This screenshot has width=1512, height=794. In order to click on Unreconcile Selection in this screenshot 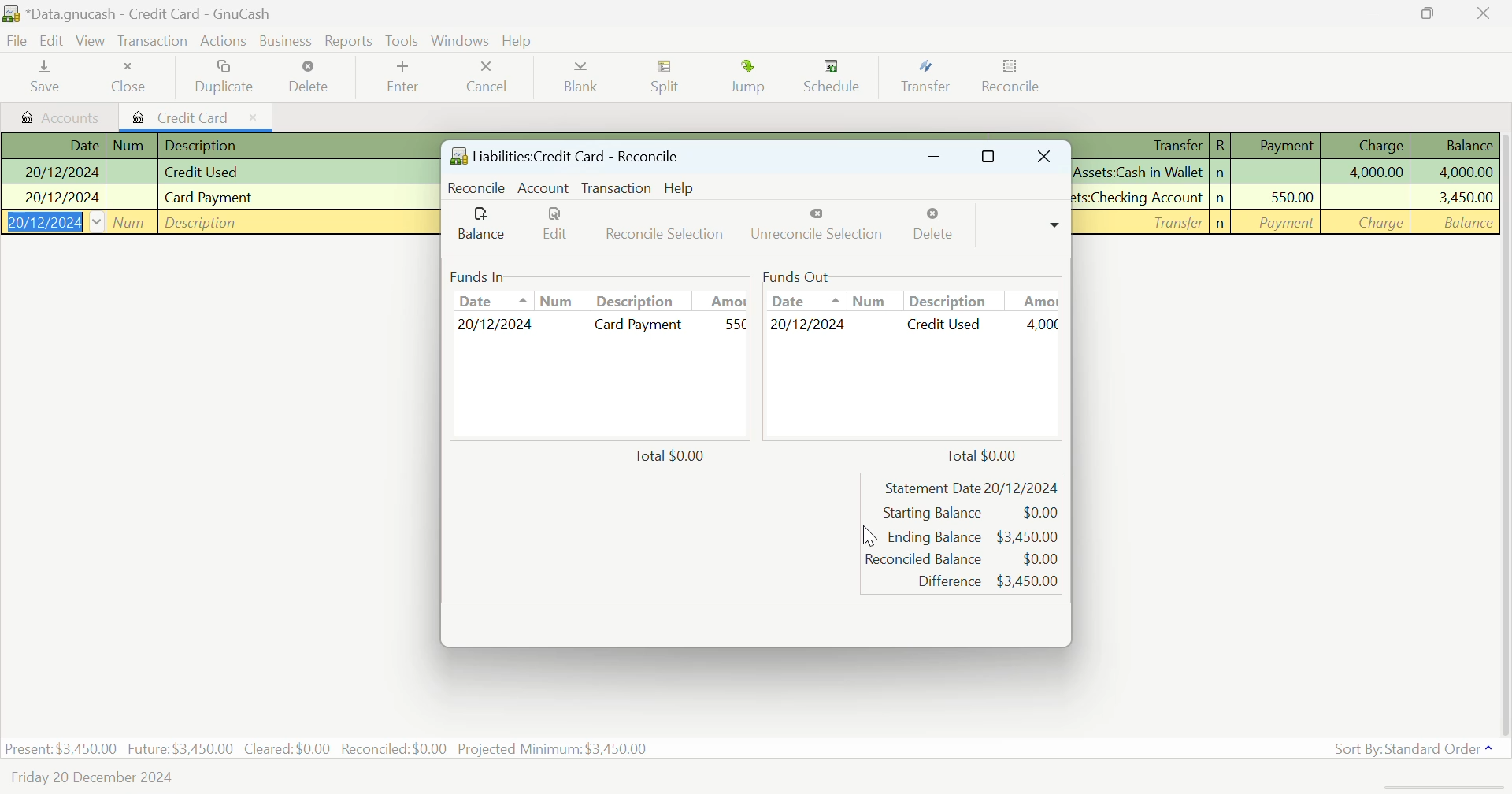, I will do `click(814, 229)`.